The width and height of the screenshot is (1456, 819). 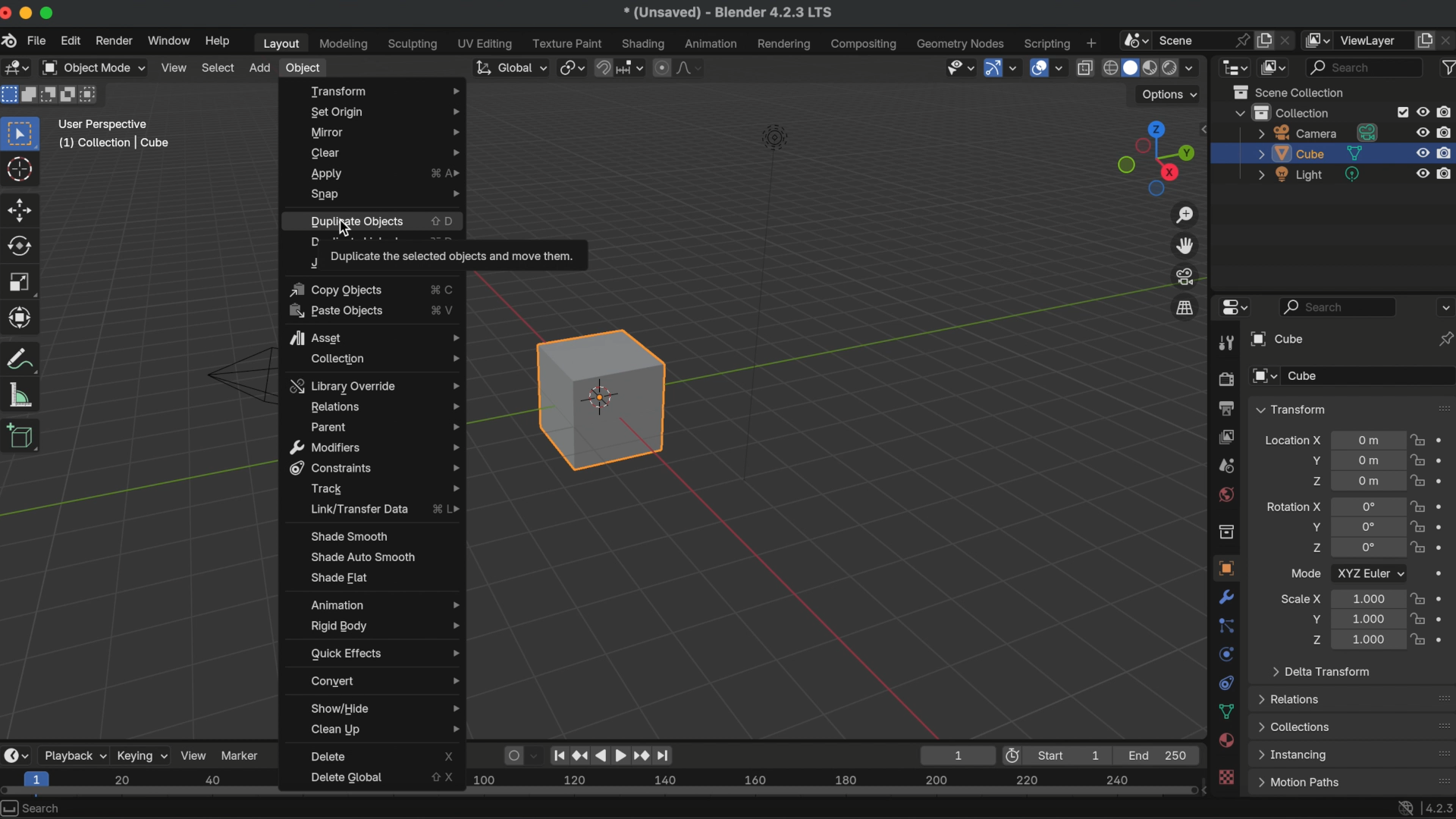 What do you see at coordinates (1235, 66) in the screenshot?
I see `editor type` at bounding box center [1235, 66].